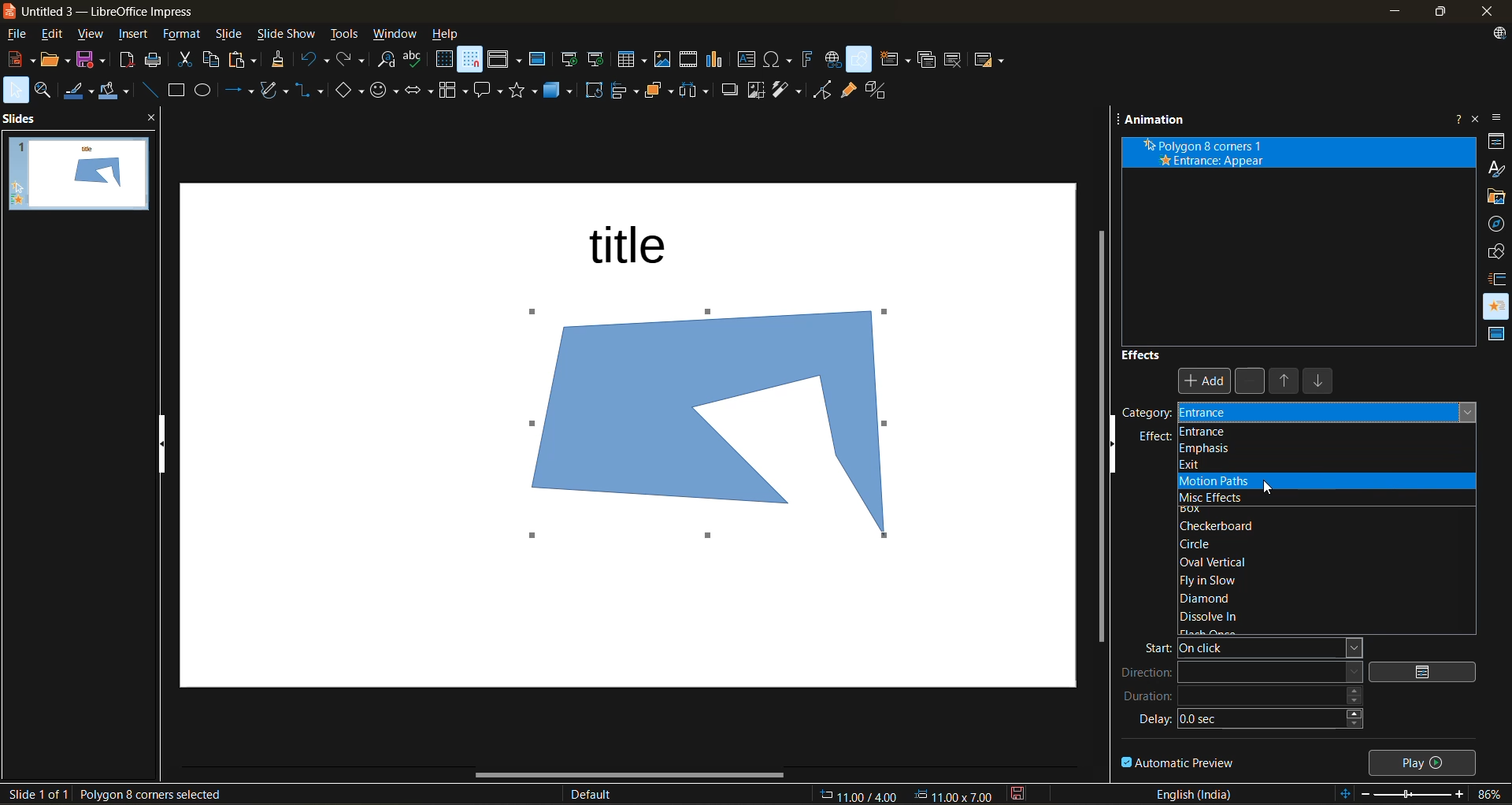 The height and width of the screenshot is (805, 1512). Describe the element at coordinates (1501, 117) in the screenshot. I see `sidebar settings` at that location.